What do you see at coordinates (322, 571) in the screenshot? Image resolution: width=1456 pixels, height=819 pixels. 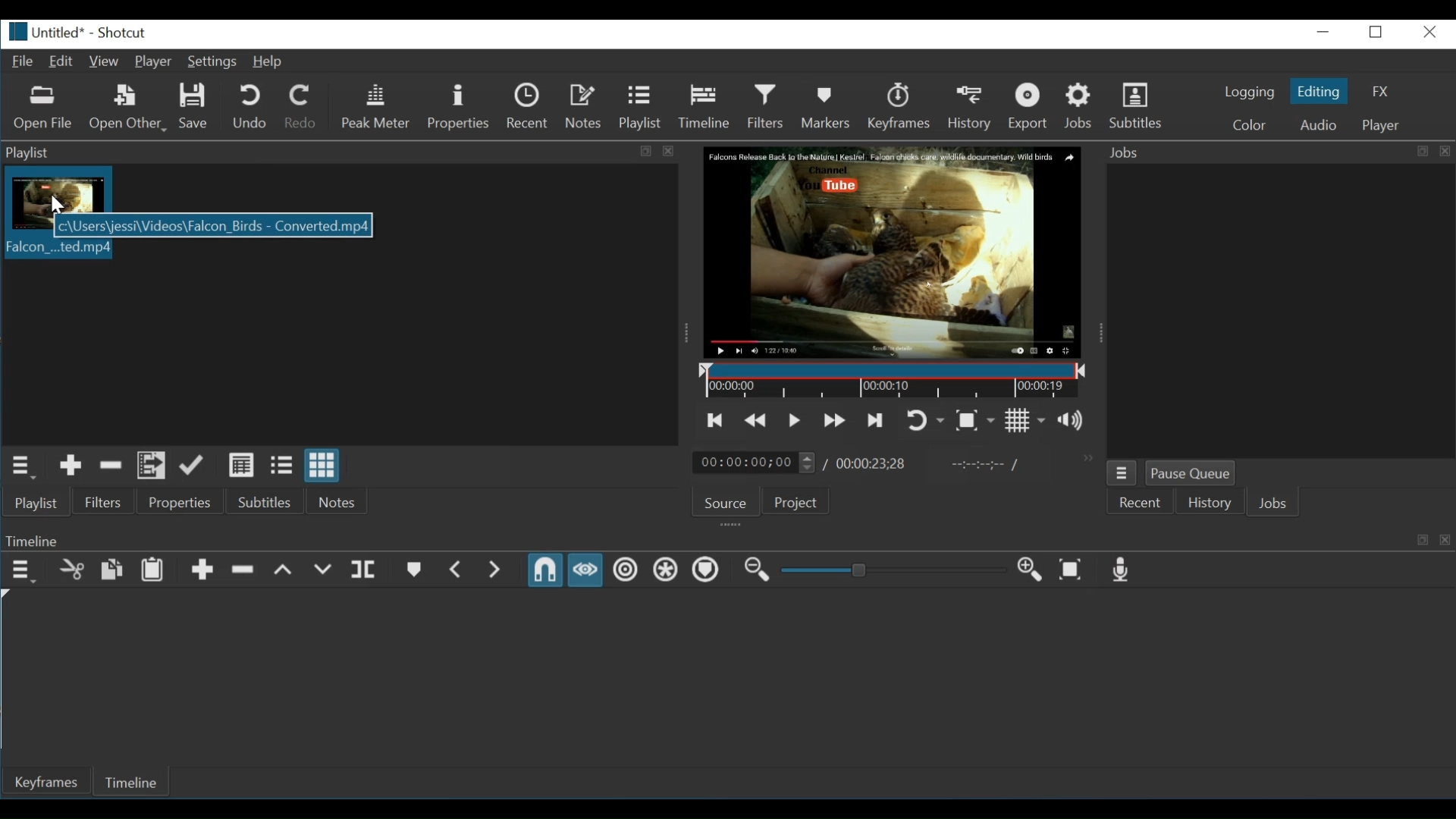 I see `Overwrite` at bounding box center [322, 571].